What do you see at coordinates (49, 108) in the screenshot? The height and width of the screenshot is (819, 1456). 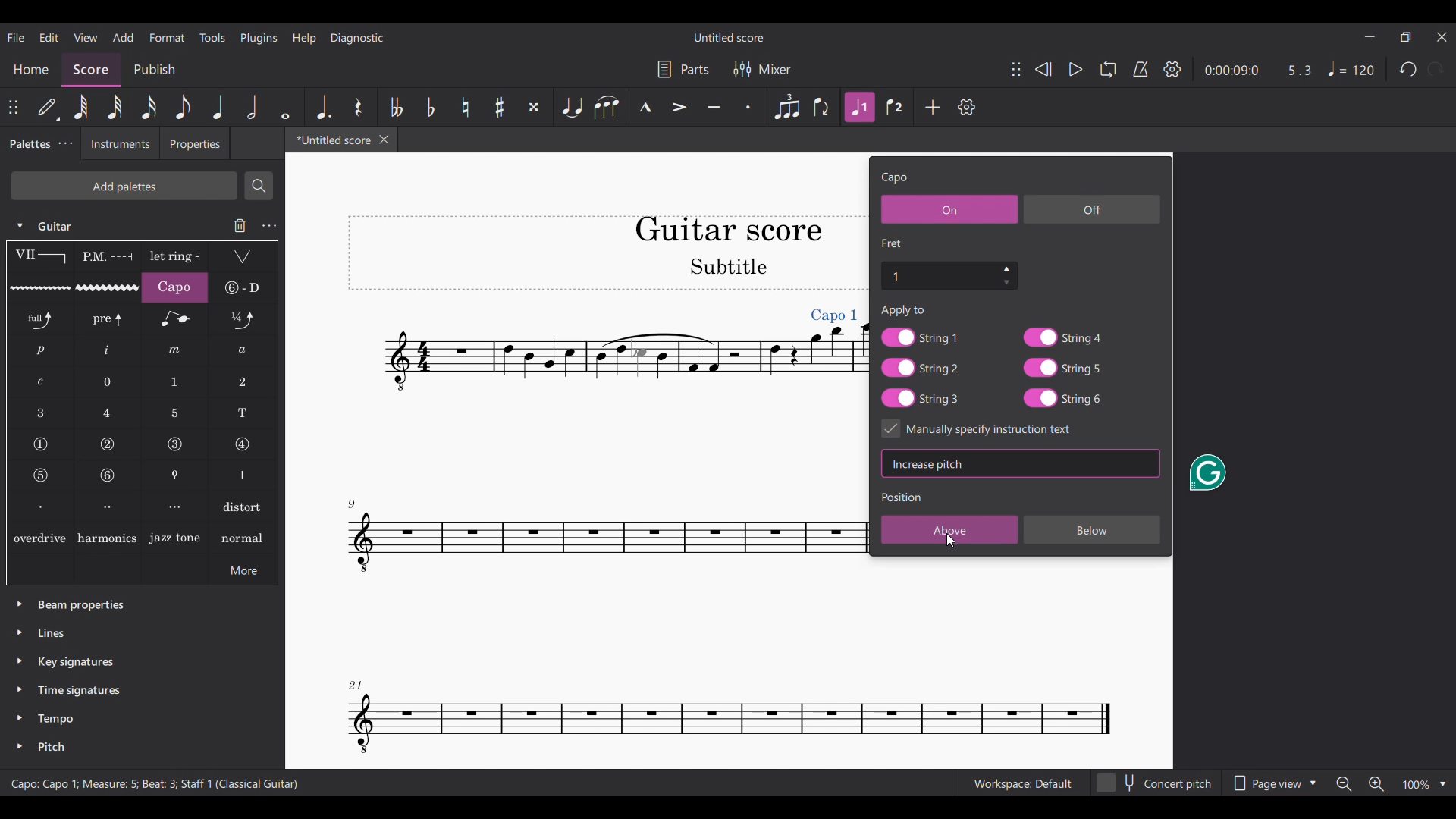 I see `Default` at bounding box center [49, 108].